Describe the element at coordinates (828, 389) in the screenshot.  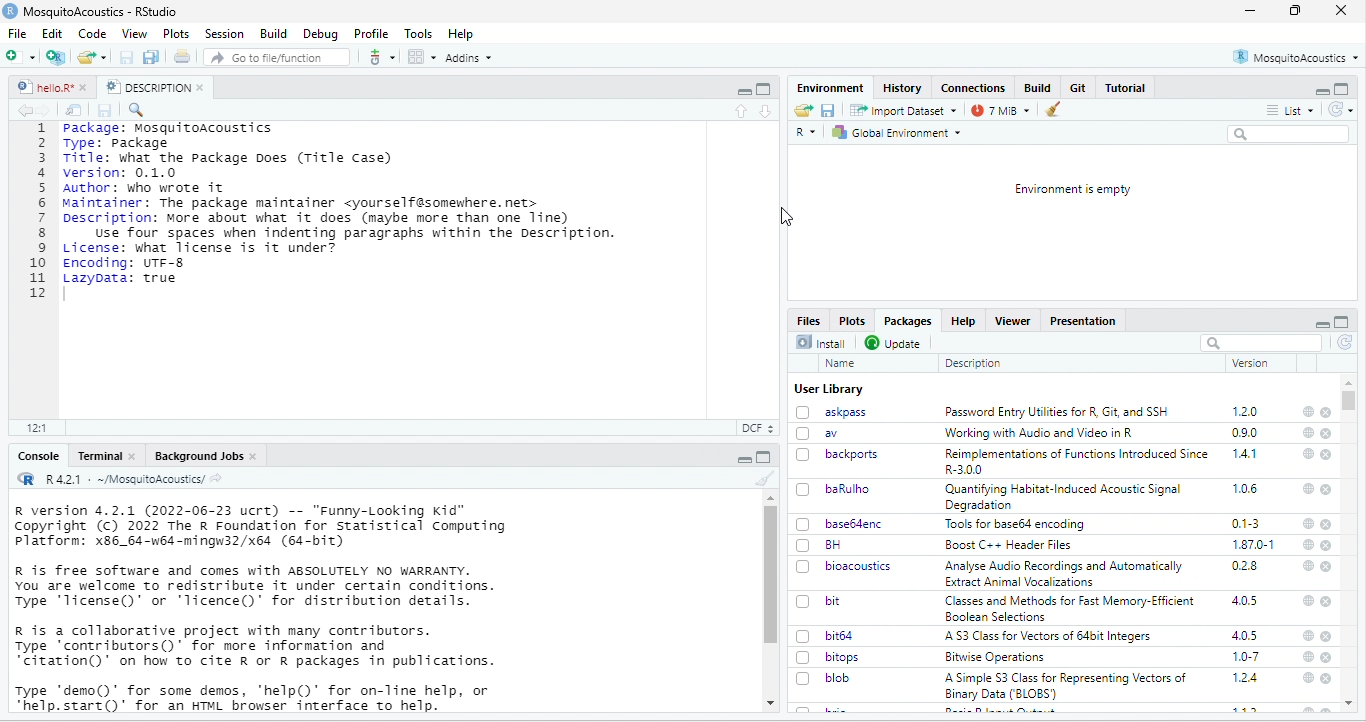
I see `User Library` at that location.